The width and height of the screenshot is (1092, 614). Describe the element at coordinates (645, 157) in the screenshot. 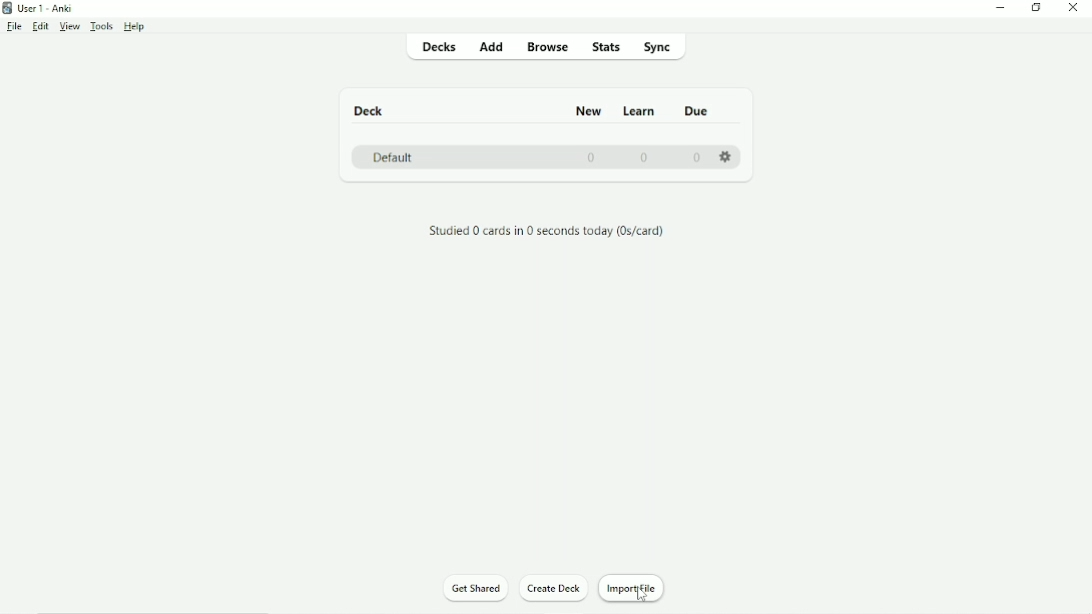

I see `0` at that location.